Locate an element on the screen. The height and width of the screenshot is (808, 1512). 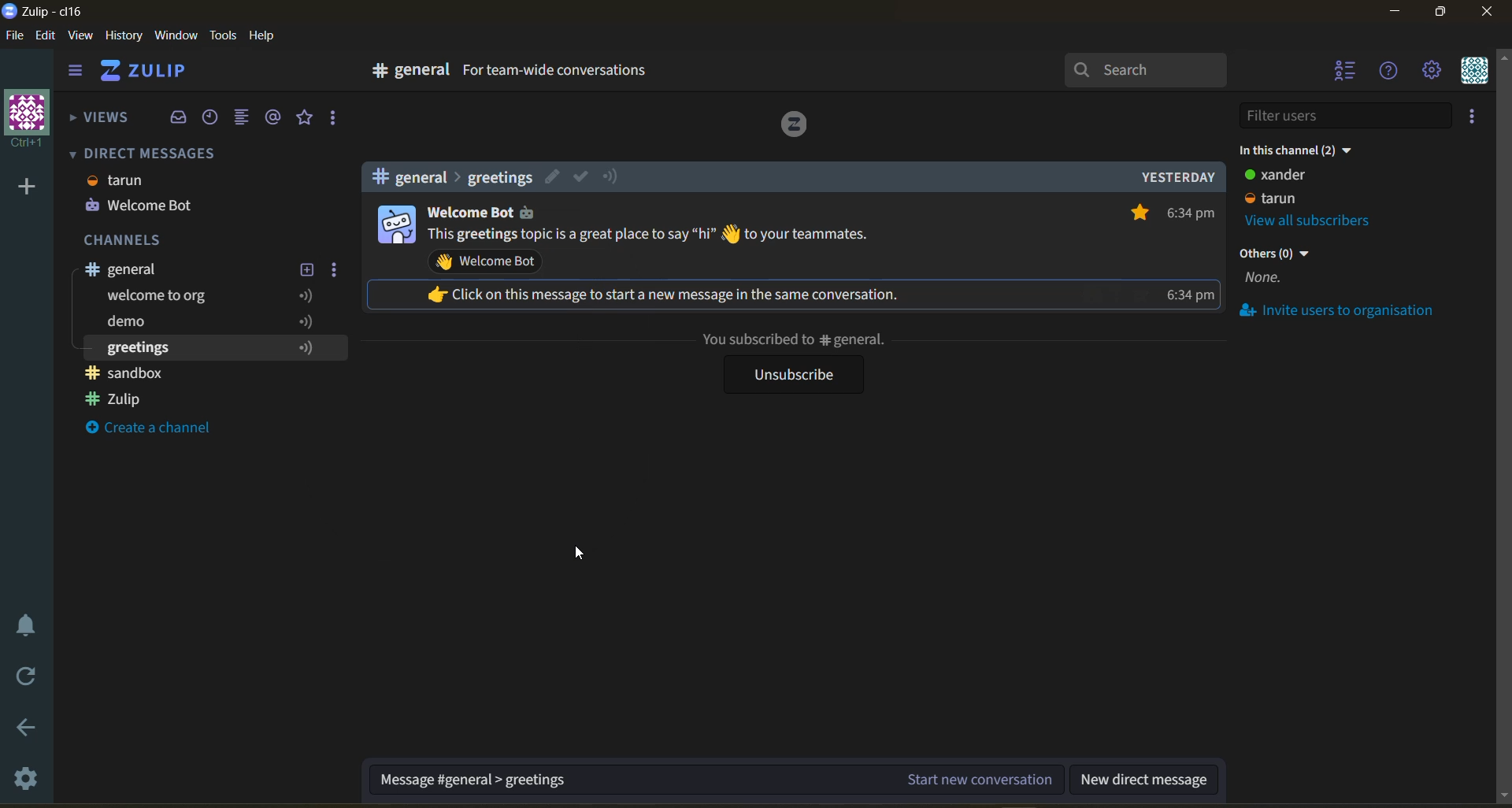
welcome bot is located at coordinates (468, 215).